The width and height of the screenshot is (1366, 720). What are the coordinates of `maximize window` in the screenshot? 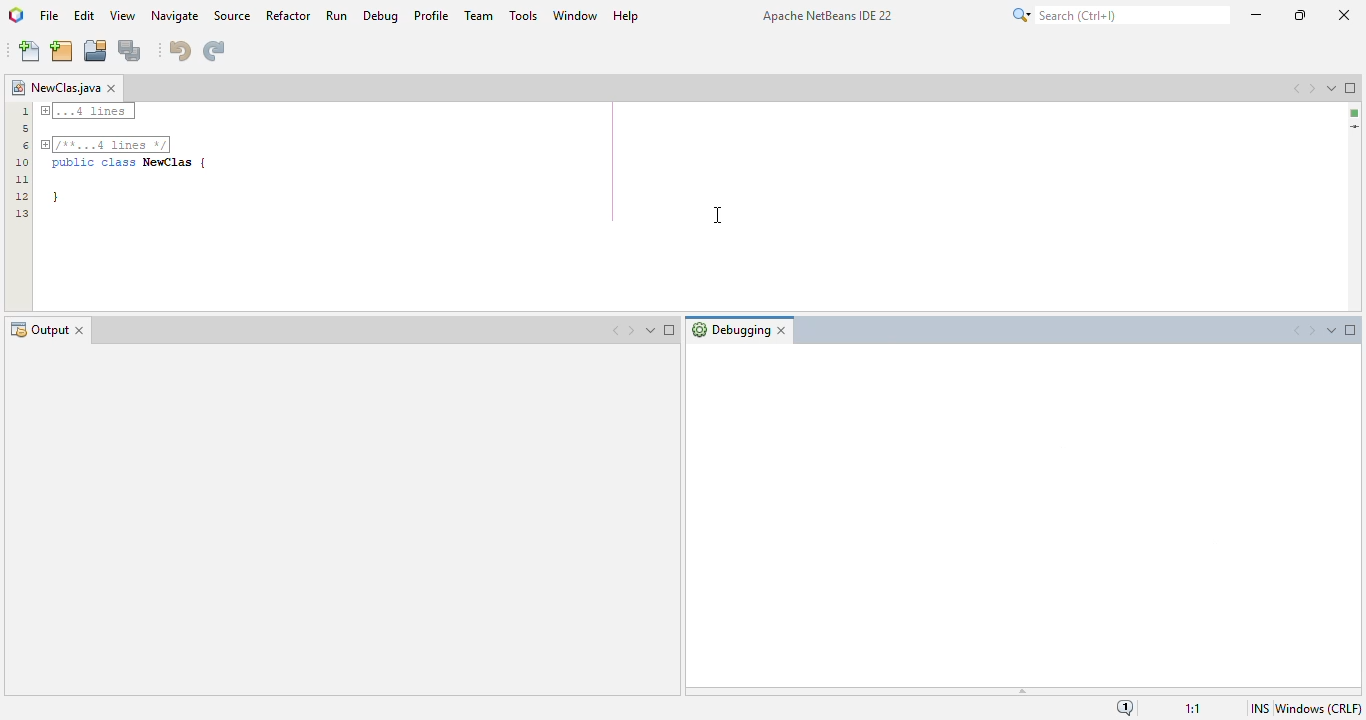 It's located at (1351, 88).